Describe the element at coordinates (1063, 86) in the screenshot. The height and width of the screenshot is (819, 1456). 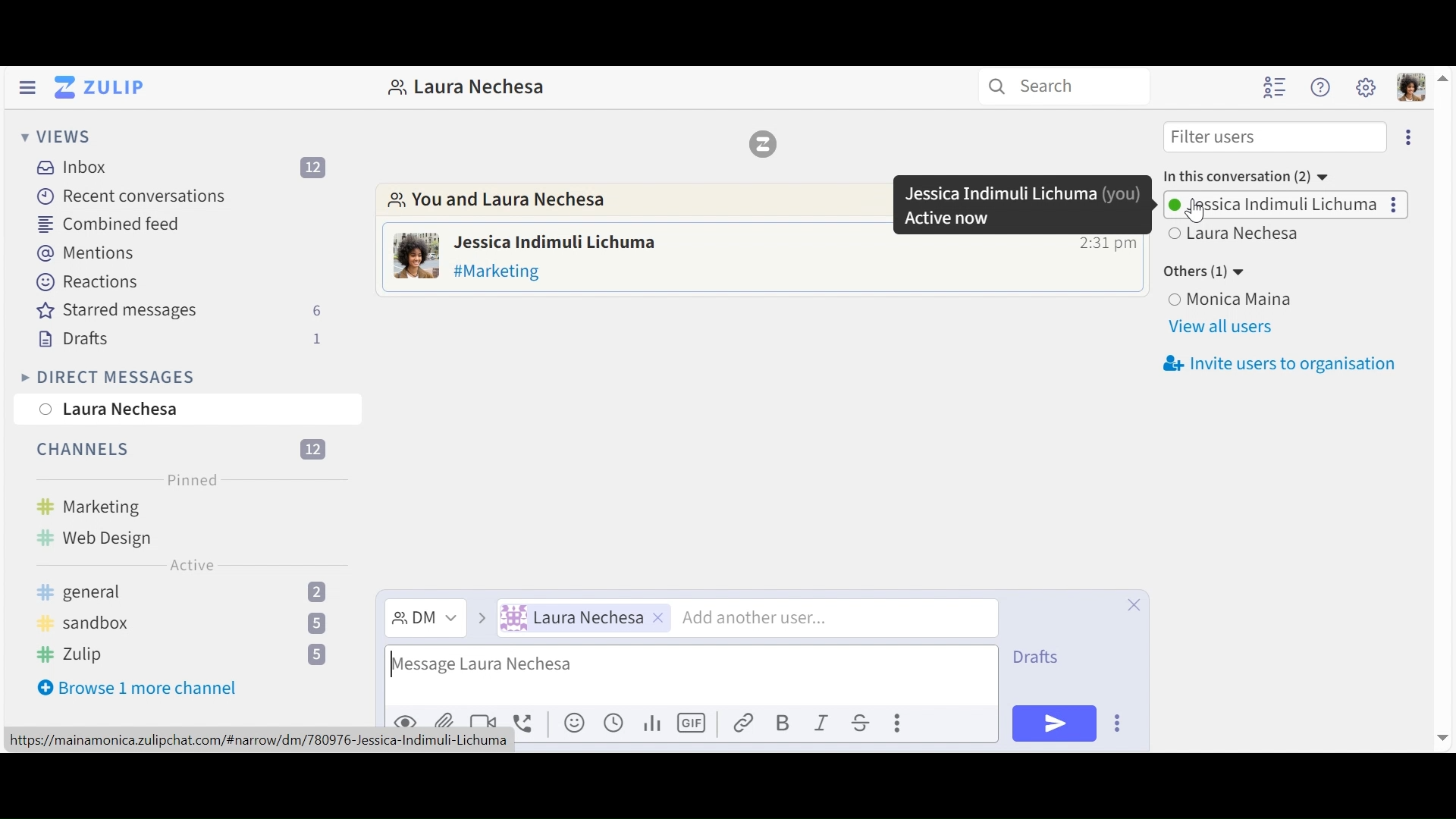
I see `Search` at that location.